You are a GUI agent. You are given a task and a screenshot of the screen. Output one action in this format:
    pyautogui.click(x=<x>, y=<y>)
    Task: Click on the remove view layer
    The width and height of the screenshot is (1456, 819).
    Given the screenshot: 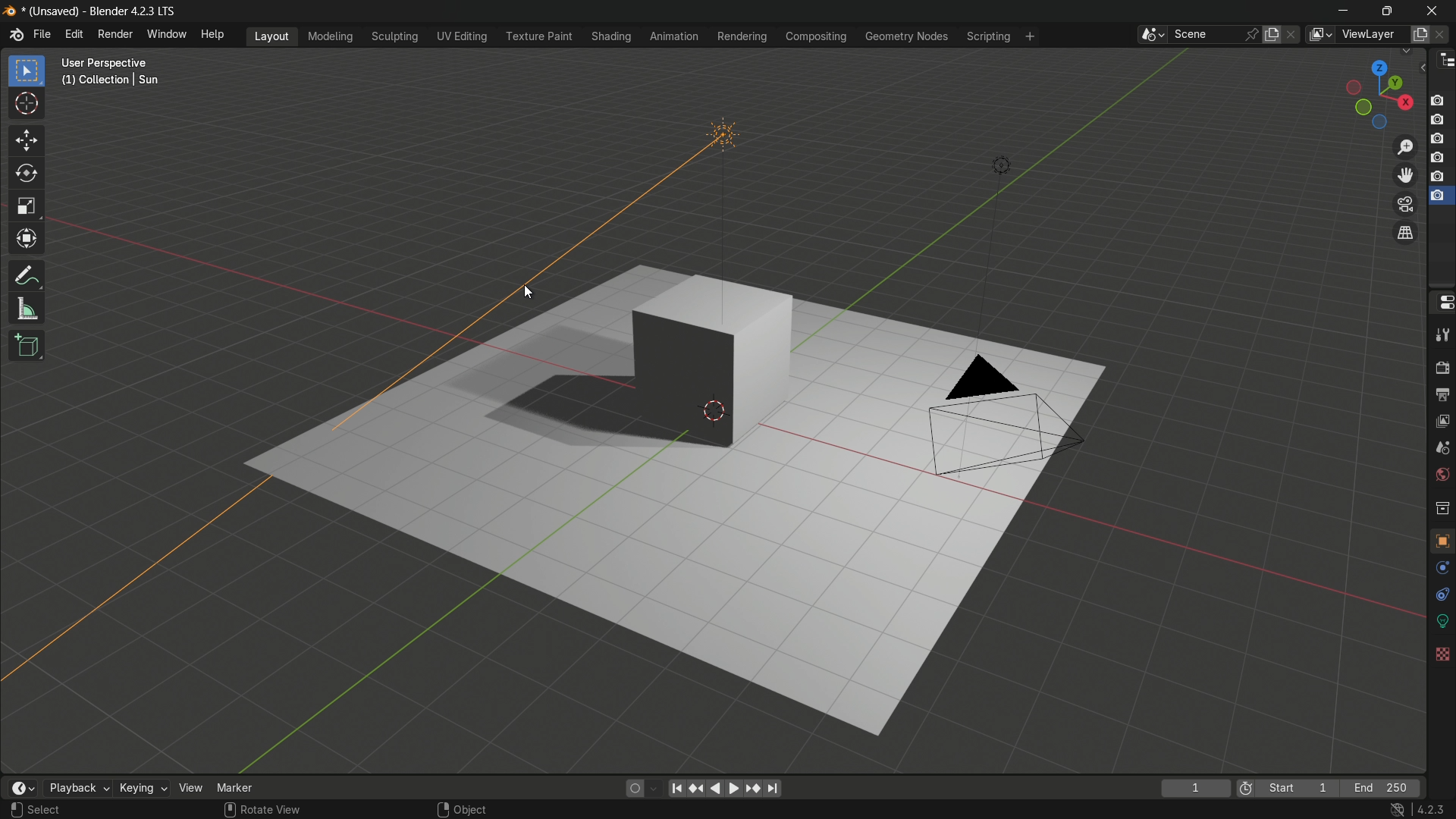 What is the action you would take?
    pyautogui.click(x=1444, y=34)
    